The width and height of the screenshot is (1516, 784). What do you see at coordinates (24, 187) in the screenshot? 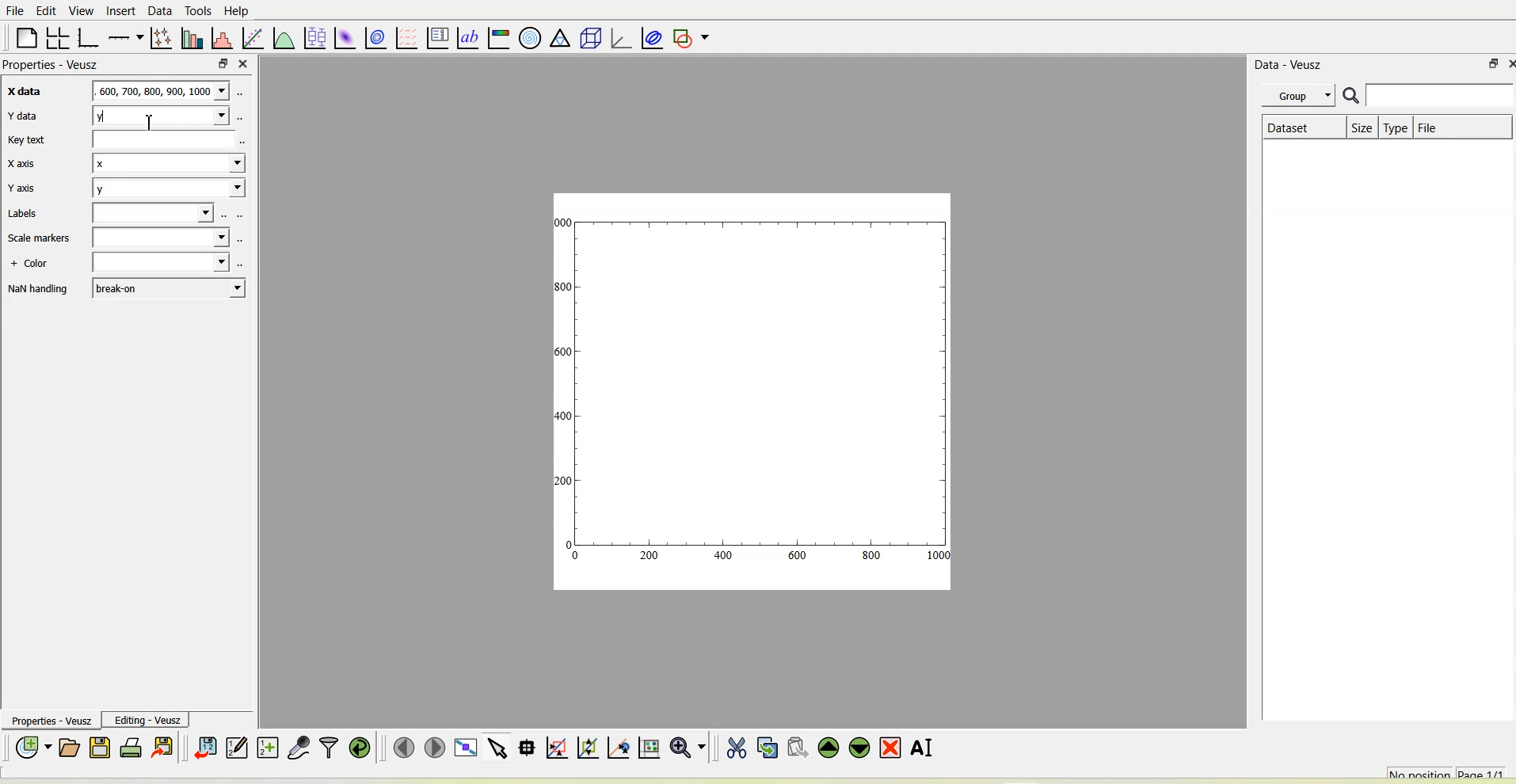
I see `Y axis` at bounding box center [24, 187].